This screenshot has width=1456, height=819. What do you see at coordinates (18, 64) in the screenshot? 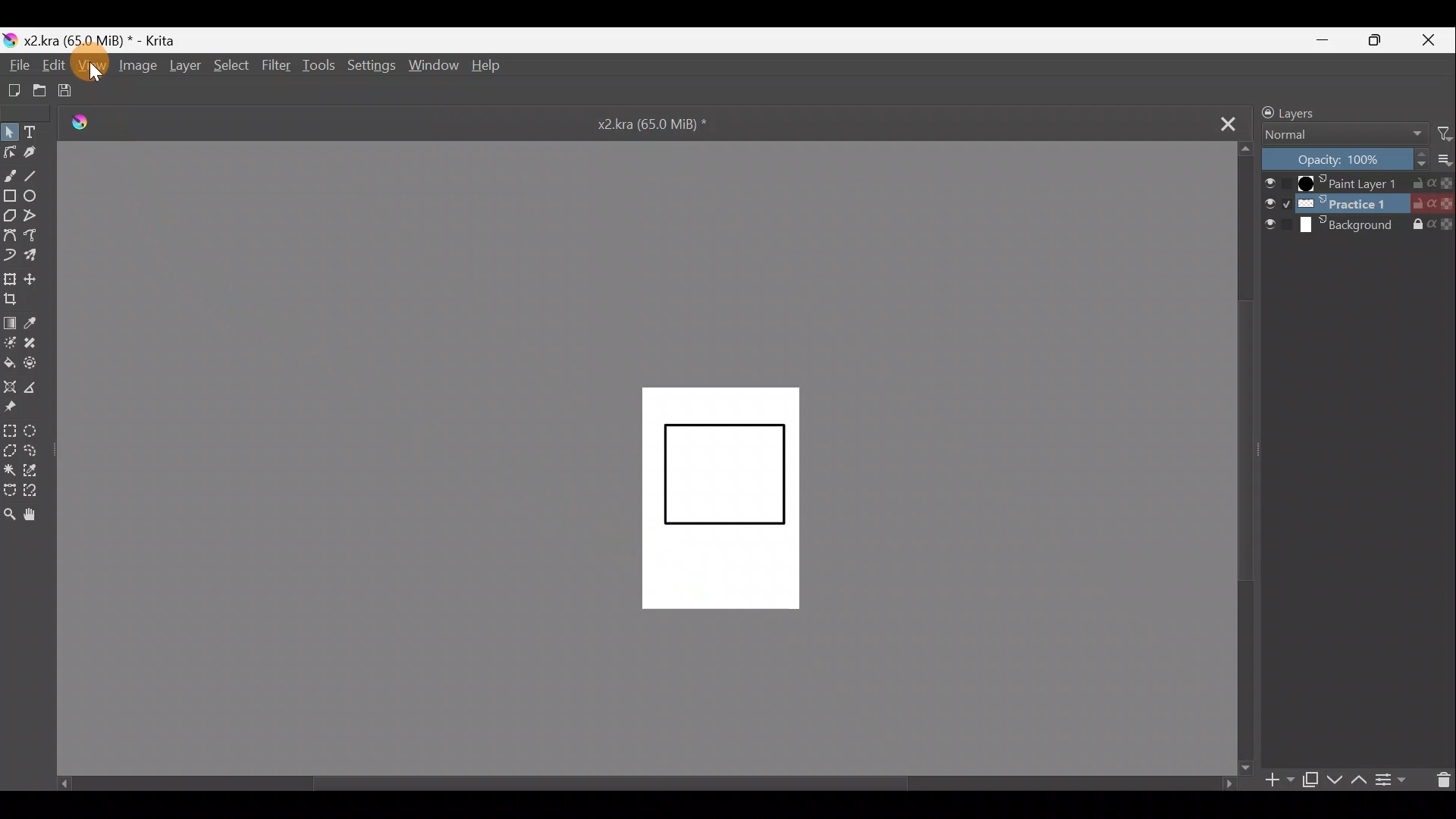
I see `File` at bounding box center [18, 64].